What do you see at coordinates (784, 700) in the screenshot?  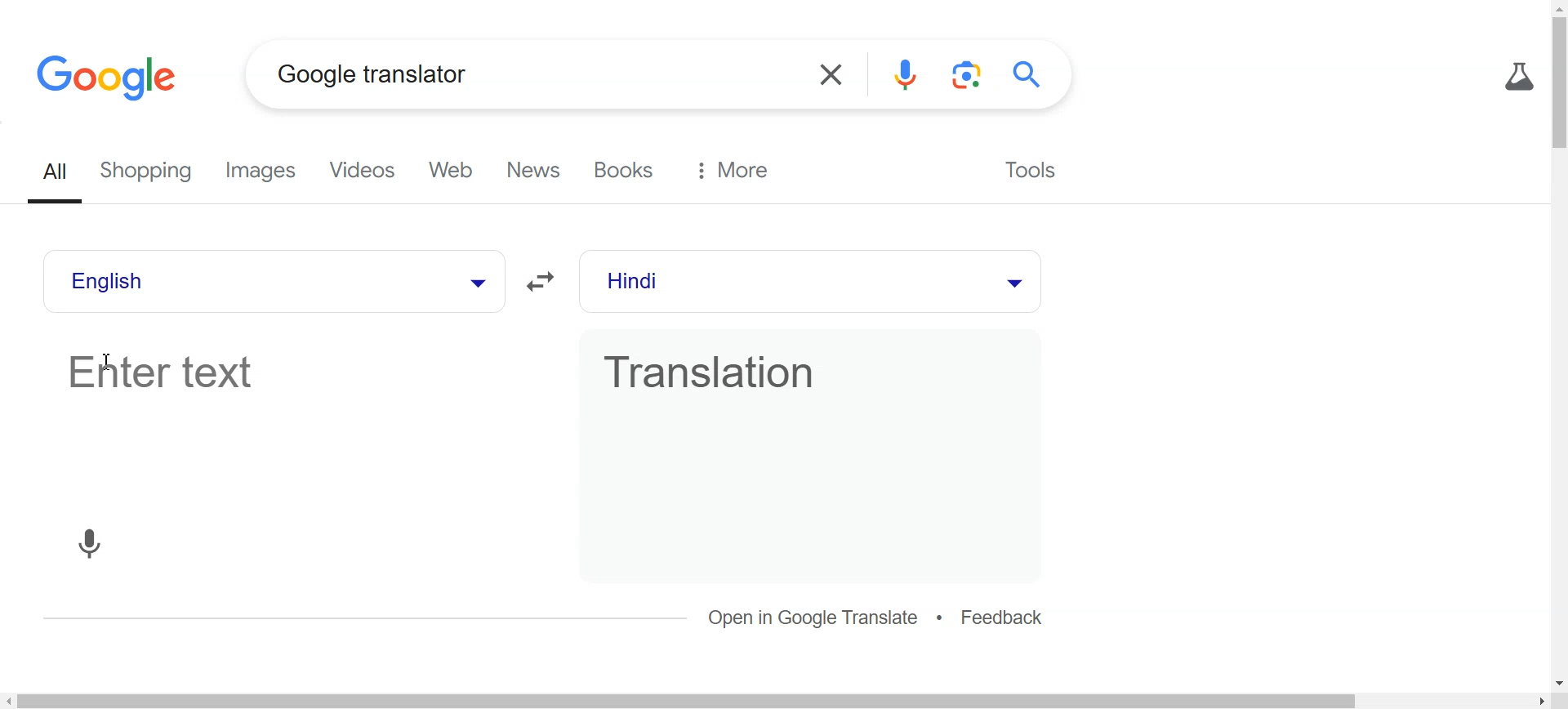 I see `Horizontal scroll bar` at bounding box center [784, 700].